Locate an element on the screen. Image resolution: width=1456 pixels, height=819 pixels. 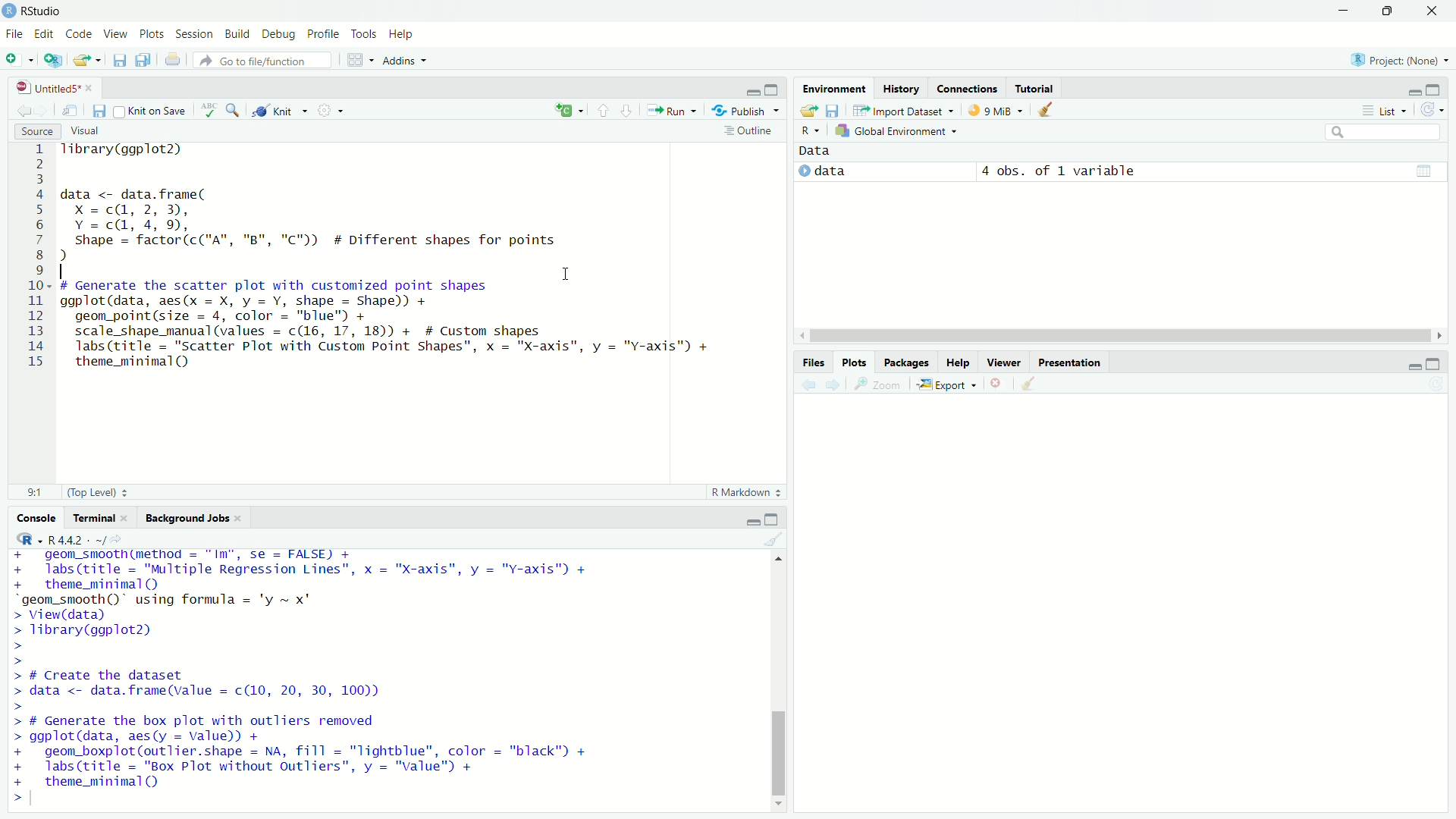
Tools is located at coordinates (364, 33).